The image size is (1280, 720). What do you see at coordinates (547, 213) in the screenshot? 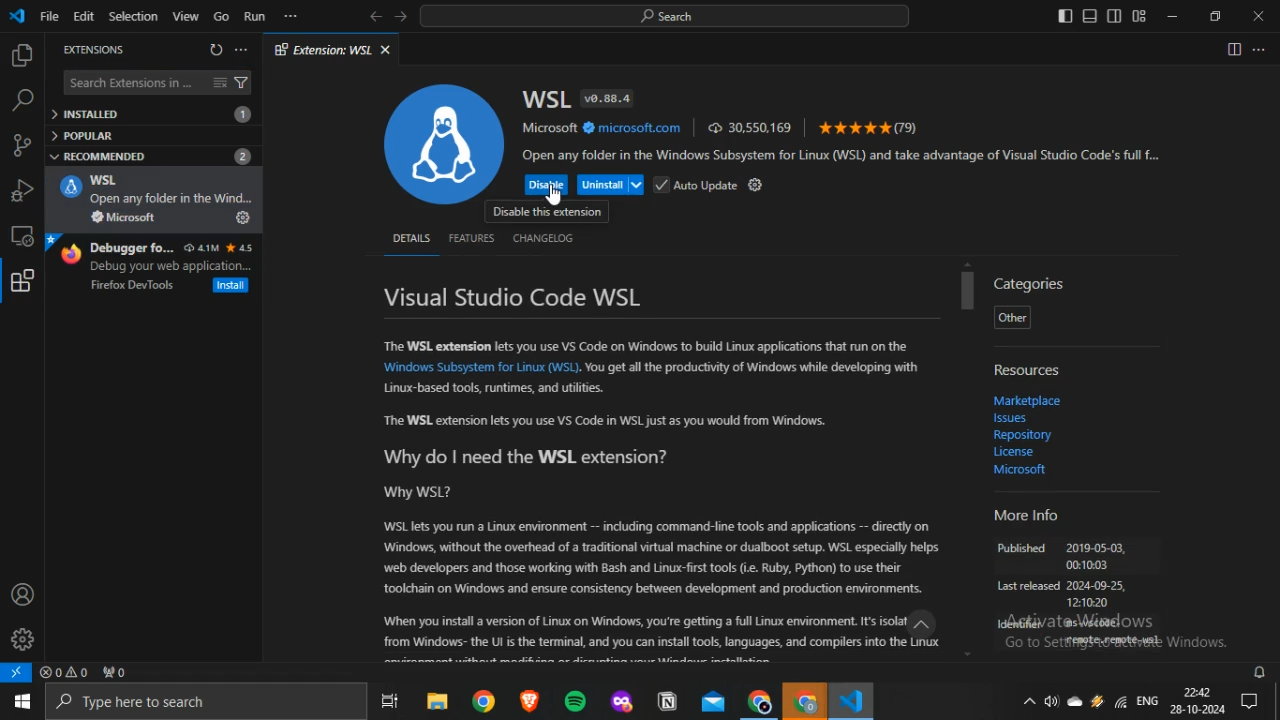
I see `Disable this extension` at bounding box center [547, 213].